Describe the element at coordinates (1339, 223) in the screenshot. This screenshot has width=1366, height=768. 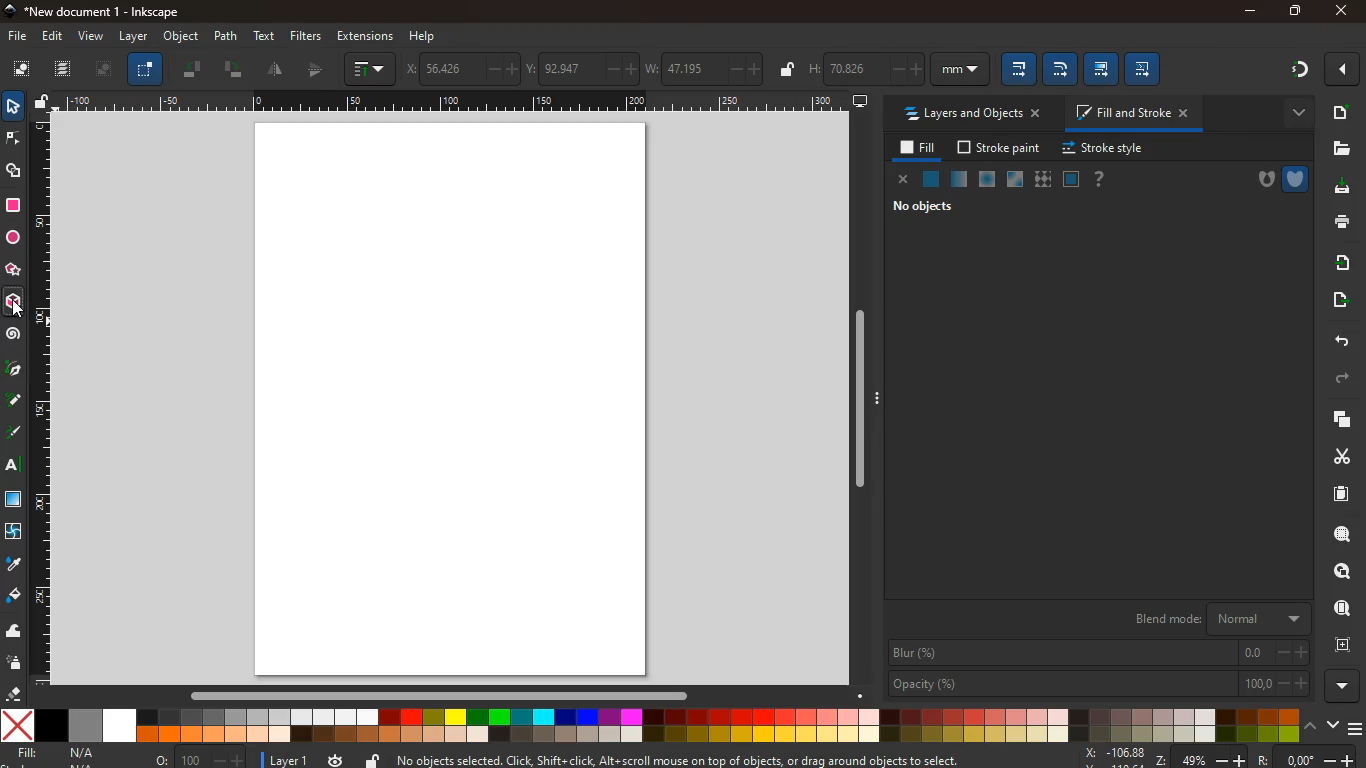
I see `print` at that location.